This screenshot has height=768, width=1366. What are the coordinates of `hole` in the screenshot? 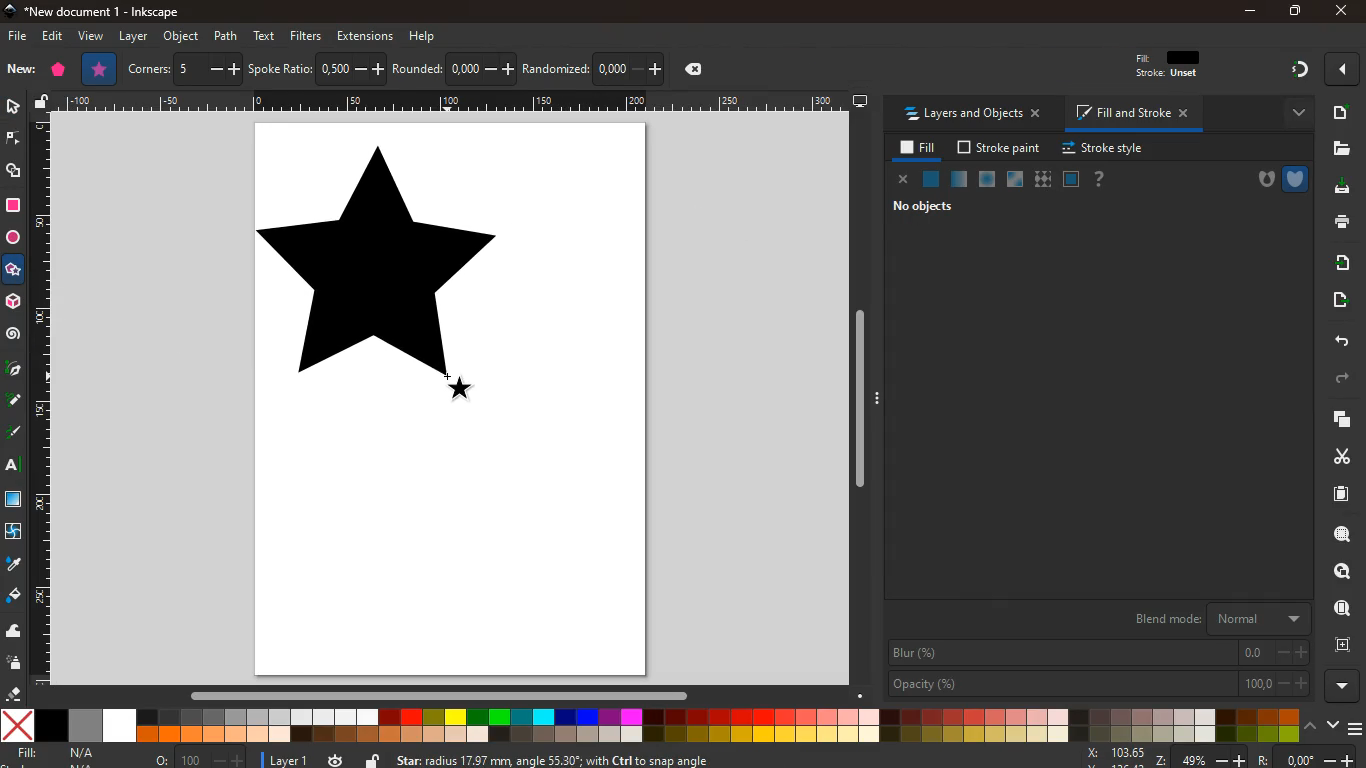 It's located at (1259, 180).